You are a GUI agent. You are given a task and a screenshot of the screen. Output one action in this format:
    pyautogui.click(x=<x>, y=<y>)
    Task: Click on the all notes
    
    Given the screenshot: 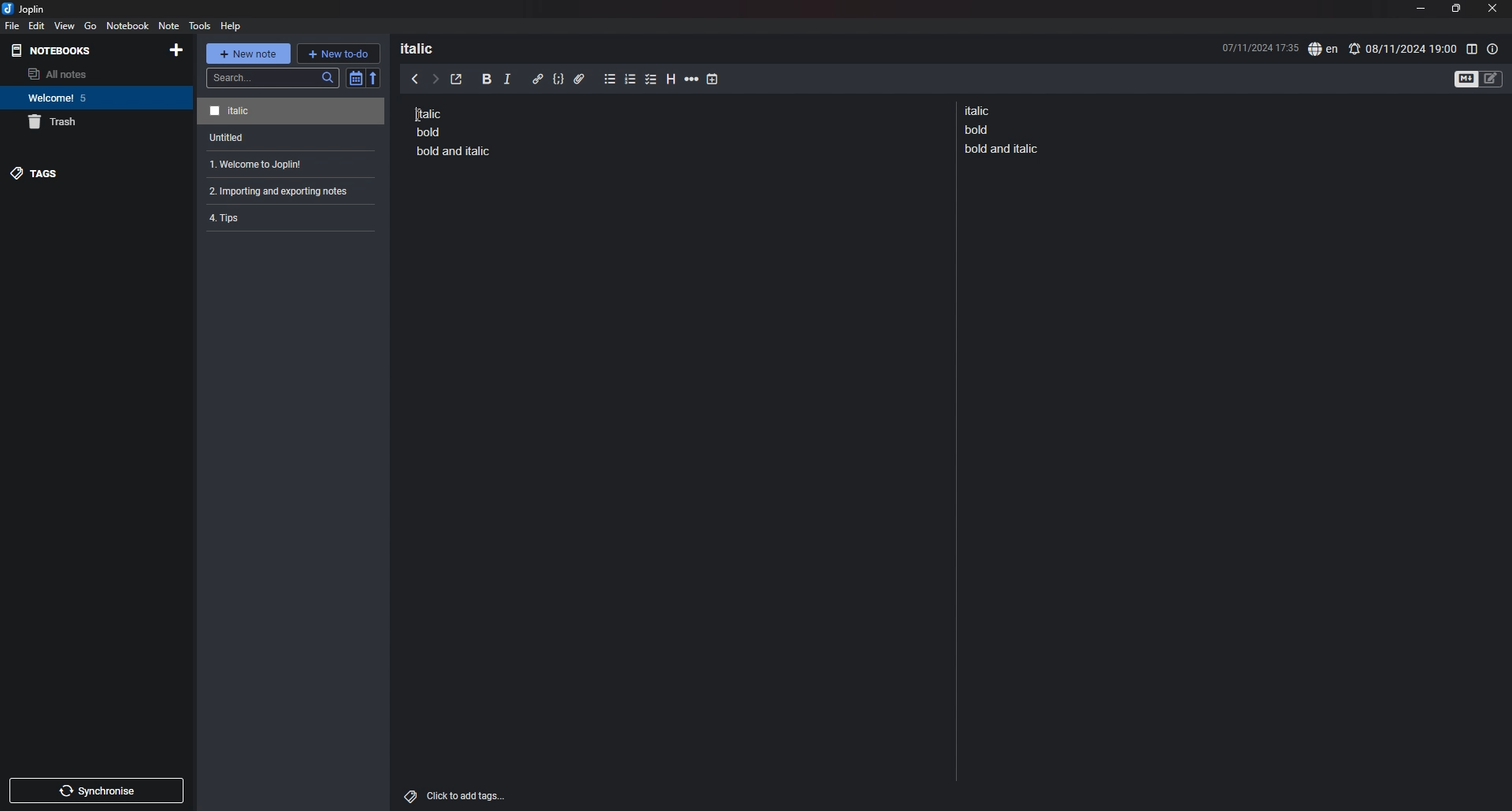 What is the action you would take?
    pyautogui.click(x=92, y=74)
    